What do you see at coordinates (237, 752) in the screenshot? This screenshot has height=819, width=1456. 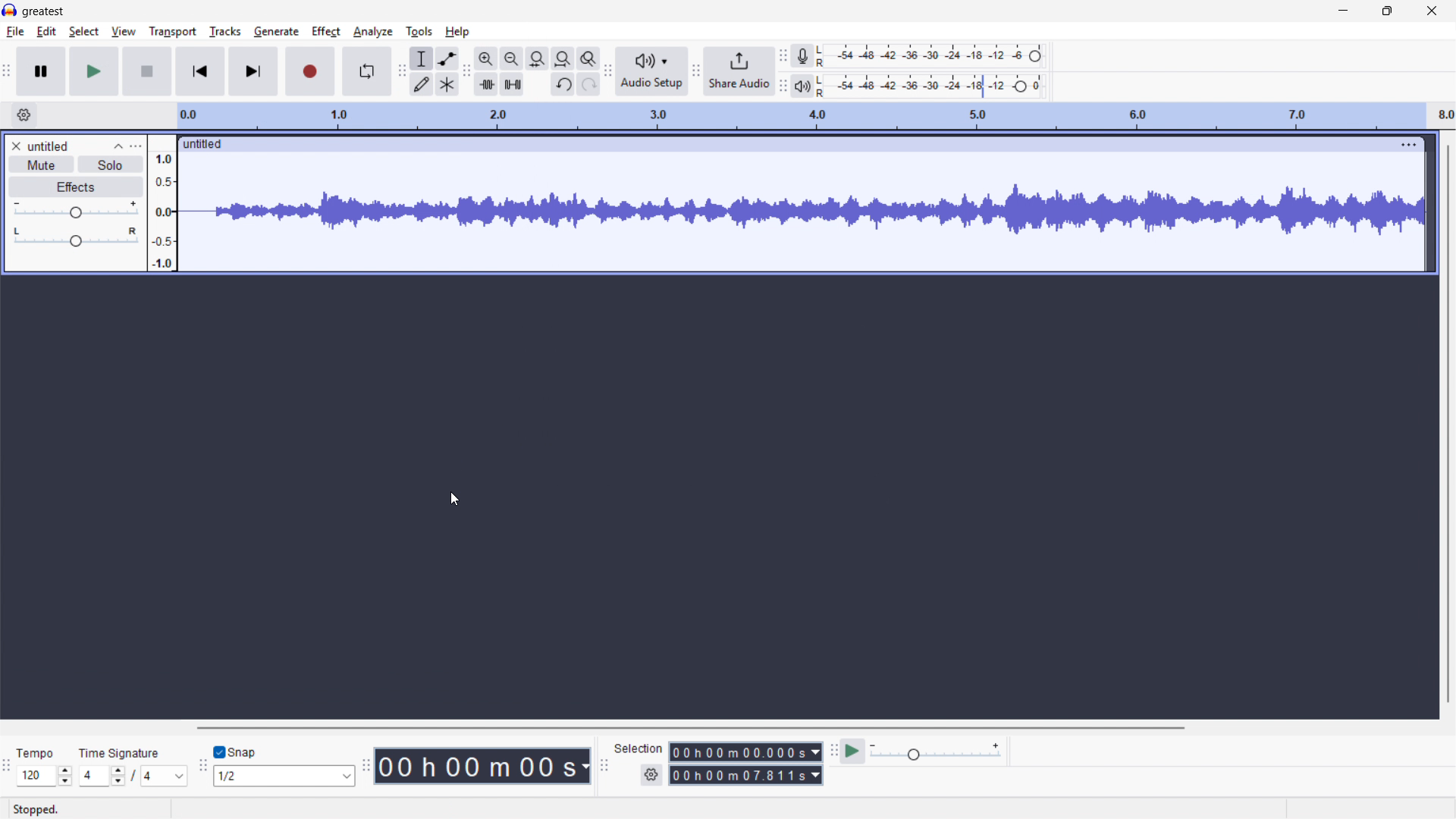 I see `toggle snap` at bounding box center [237, 752].